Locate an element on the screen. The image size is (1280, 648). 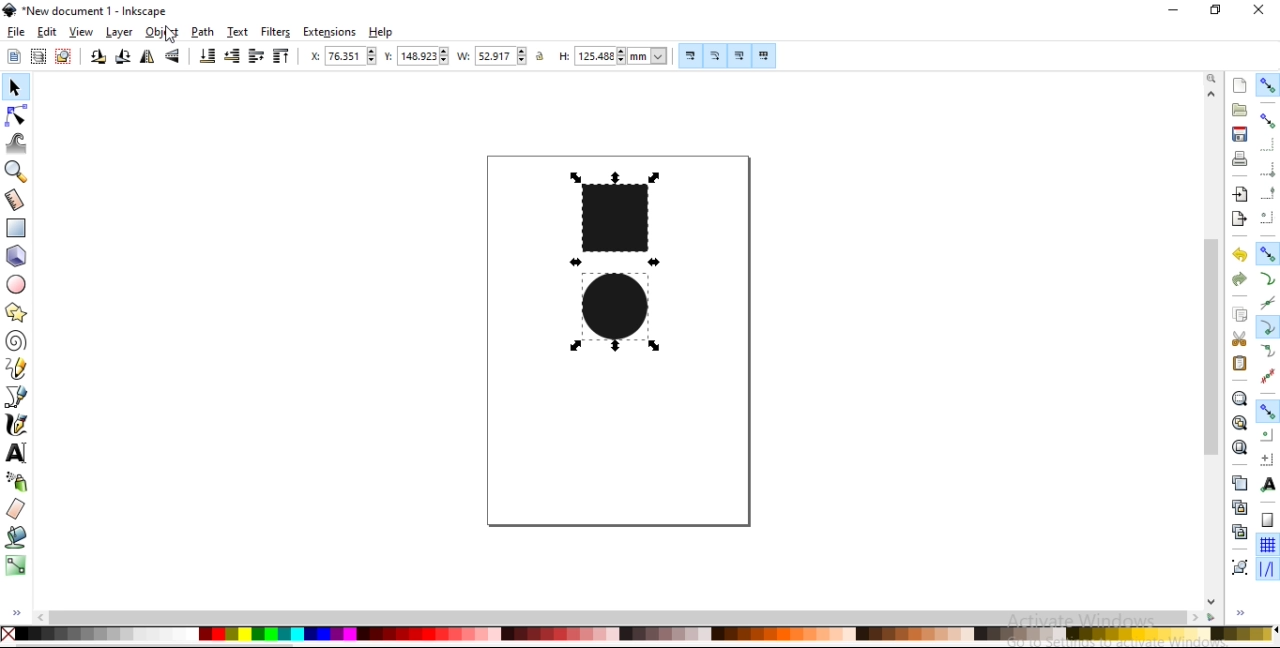
snap text anchors and baselines is located at coordinates (1268, 483).